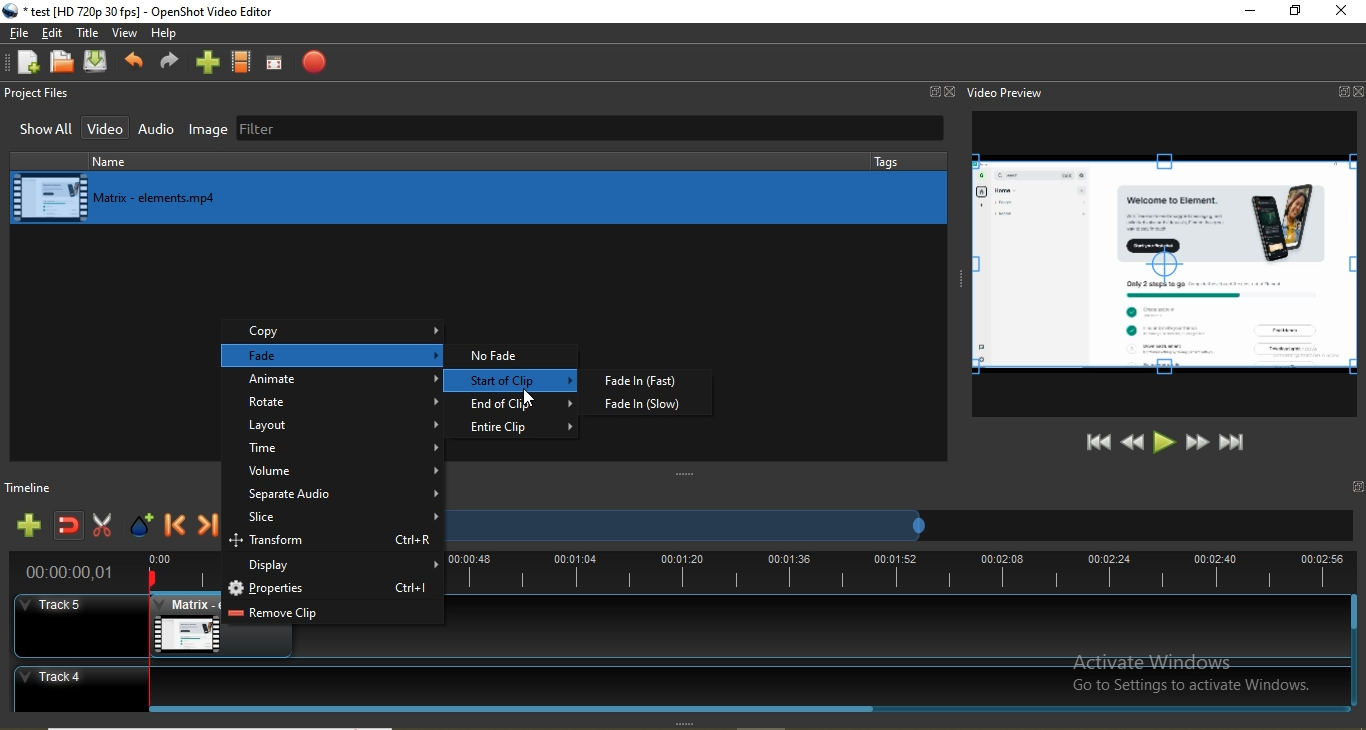 This screenshot has width=1366, height=730. Describe the element at coordinates (1293, 11) in the screenshot. I see `Restore` at that location.